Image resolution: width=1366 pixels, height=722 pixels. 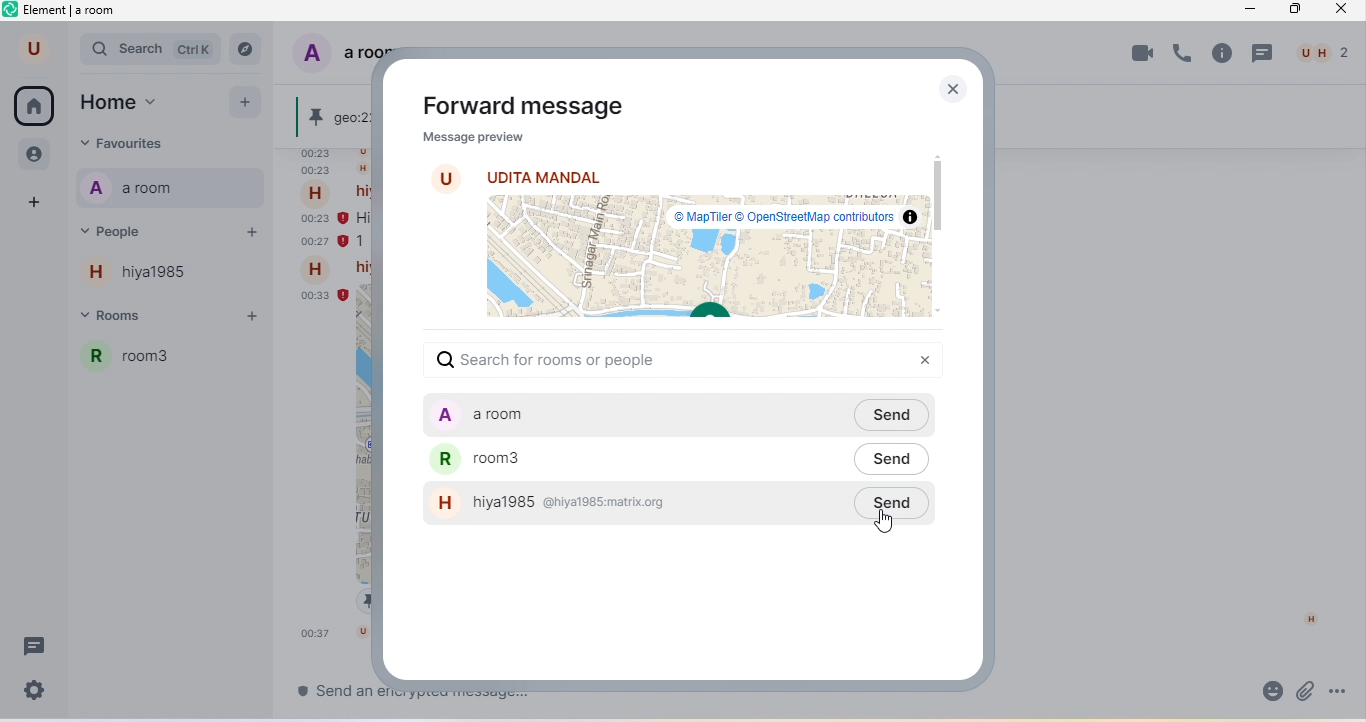 I want to click on vertical scroll bar, so click(x=1353, y=539).